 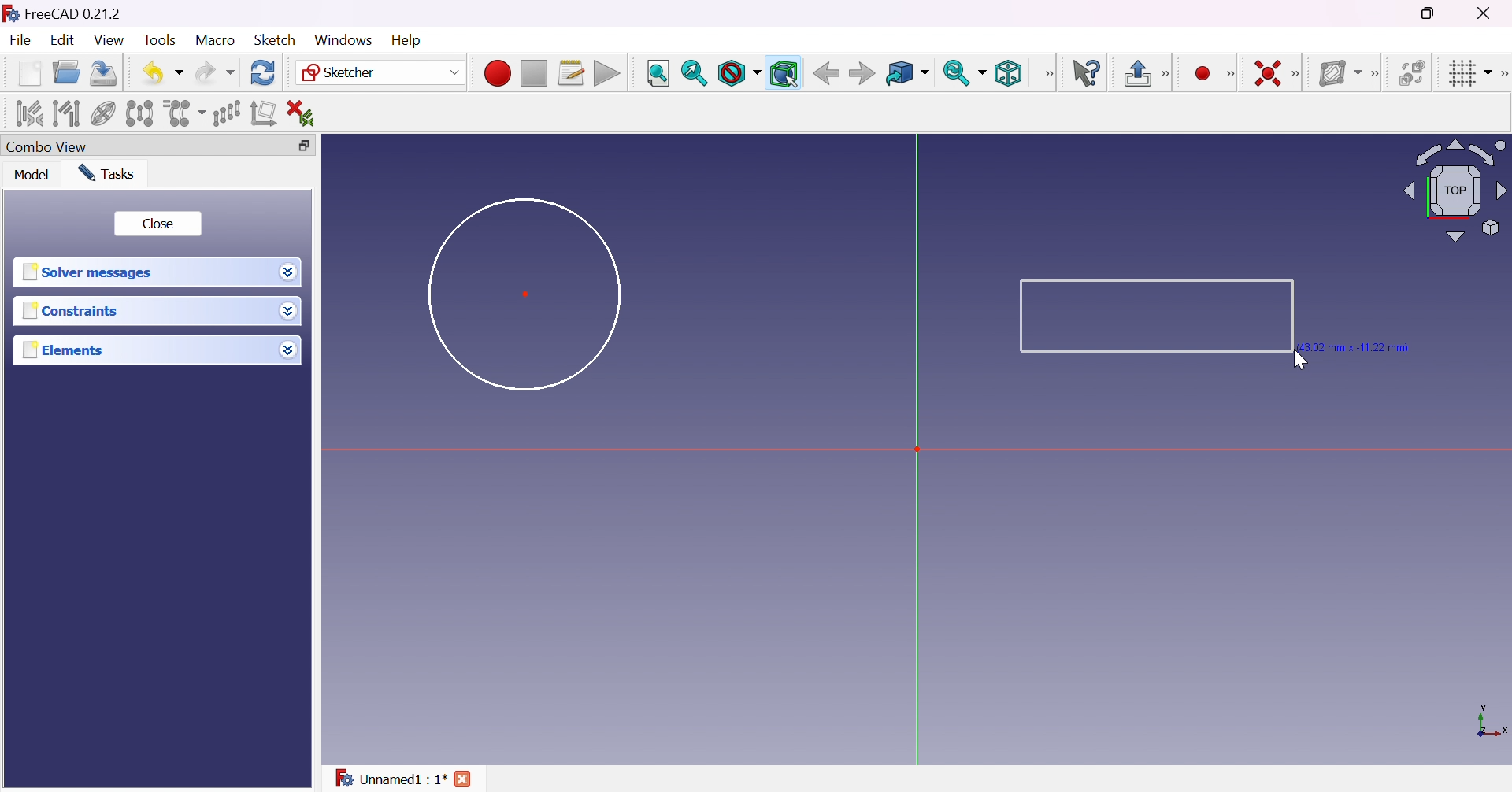 I want to click on Constraints, so click(x=71, y=312).